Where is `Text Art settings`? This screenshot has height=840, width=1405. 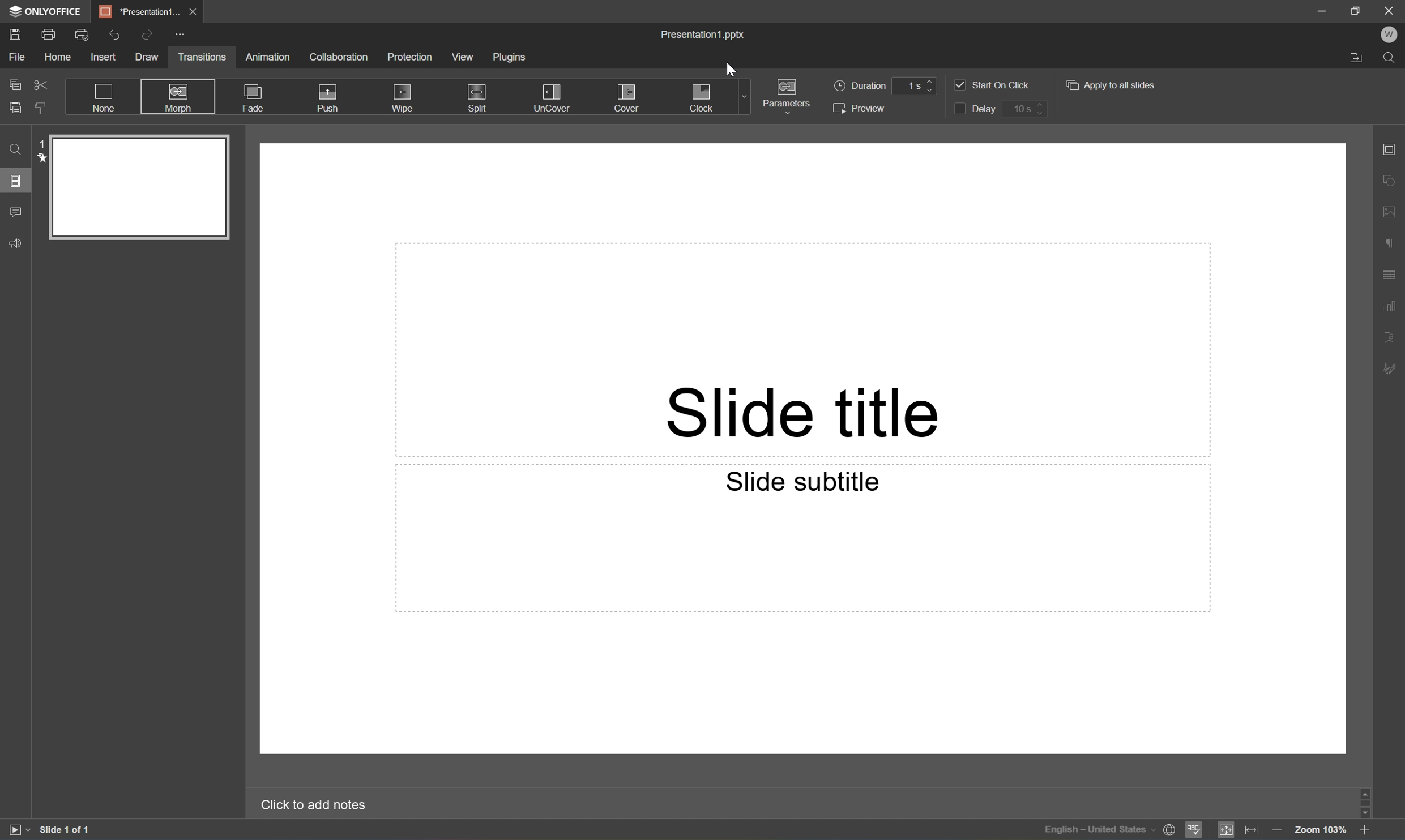
Text Art settings is located at coordinates (1394, 338).